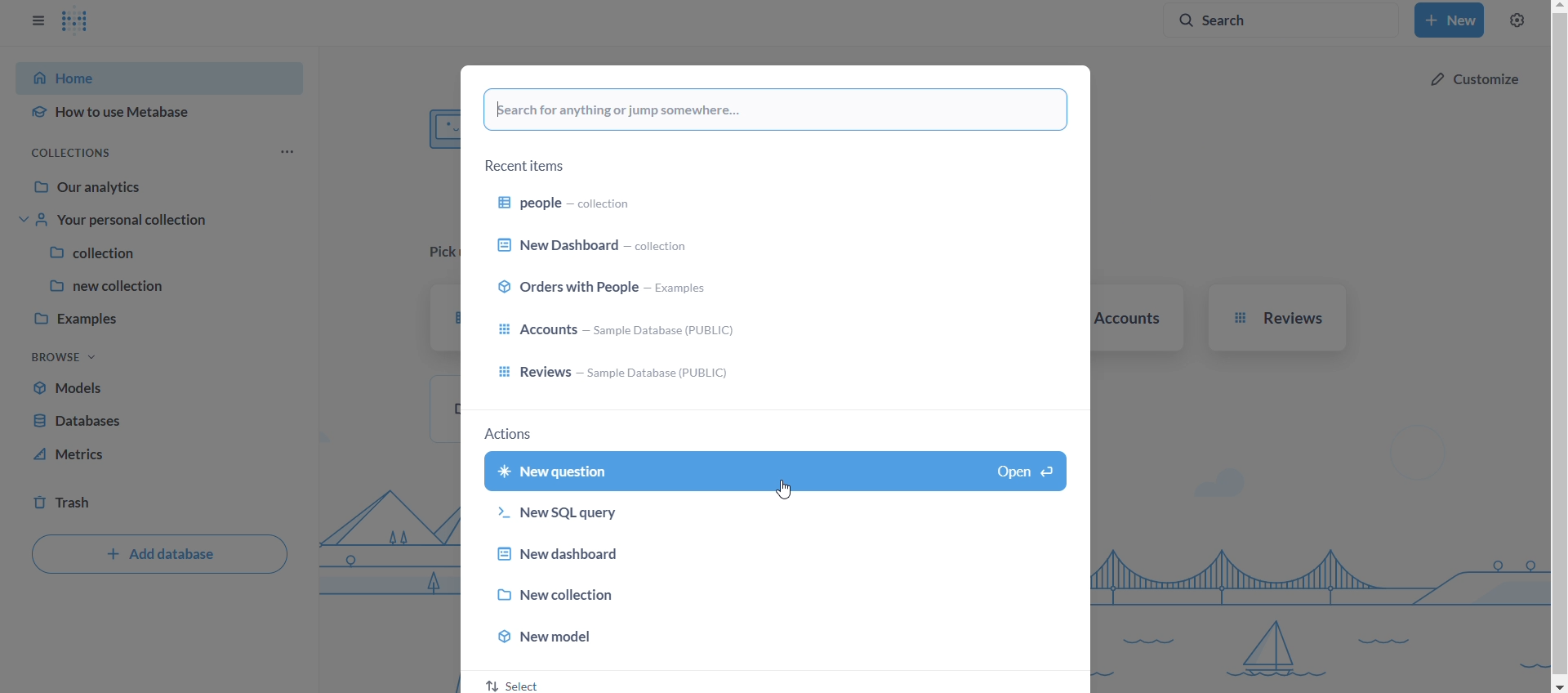  What do you see at coordinates (283, 151) in the screenshot?
I see `more` at bounding box center [283, 151].